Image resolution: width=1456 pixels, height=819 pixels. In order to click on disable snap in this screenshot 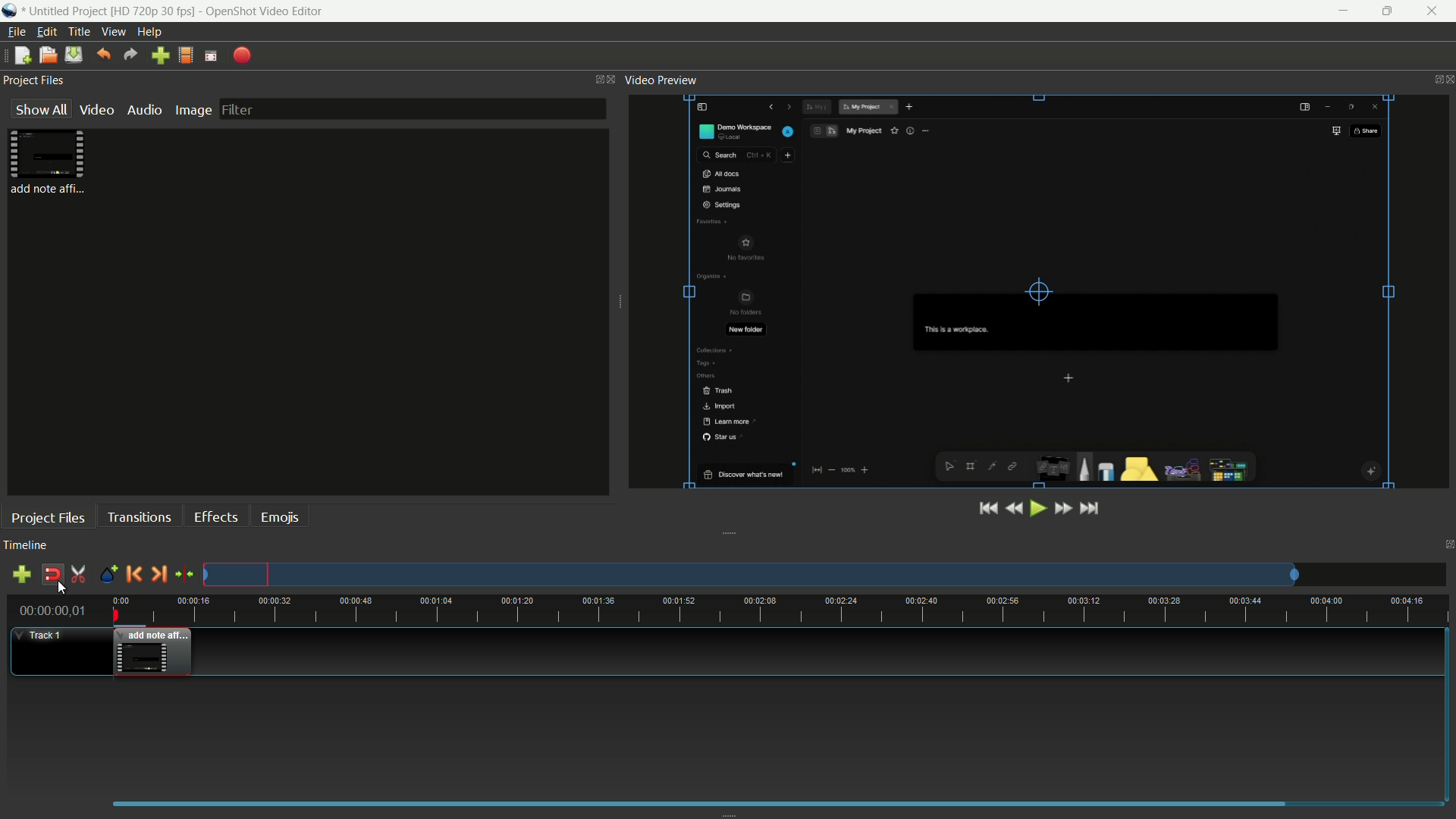, I will do `click(51, 575)`.